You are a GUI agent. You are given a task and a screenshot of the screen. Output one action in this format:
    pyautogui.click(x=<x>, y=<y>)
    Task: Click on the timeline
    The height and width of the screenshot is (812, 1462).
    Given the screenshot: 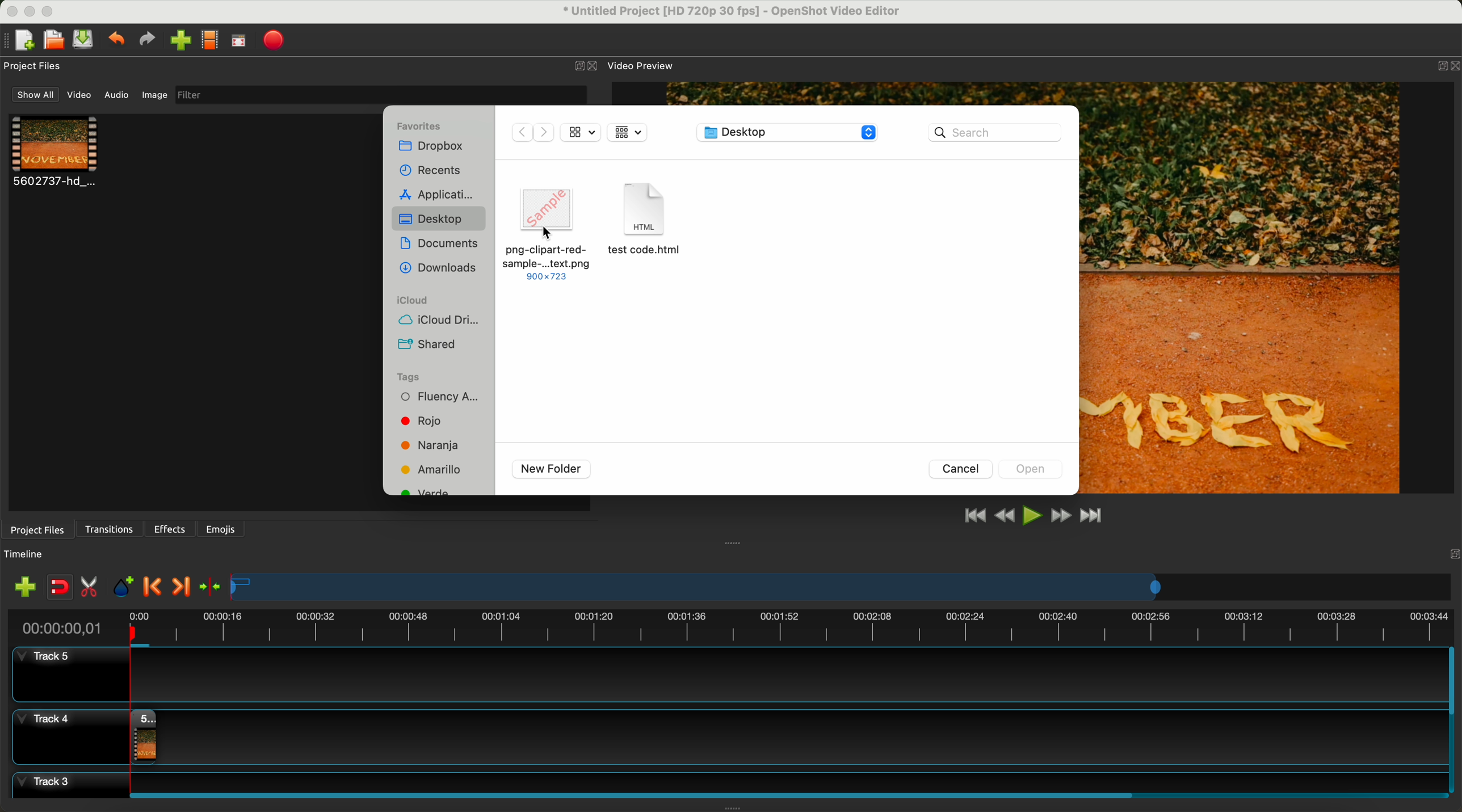 What is the action you would take?
    pyautogui.click(x=730, y=626)
    